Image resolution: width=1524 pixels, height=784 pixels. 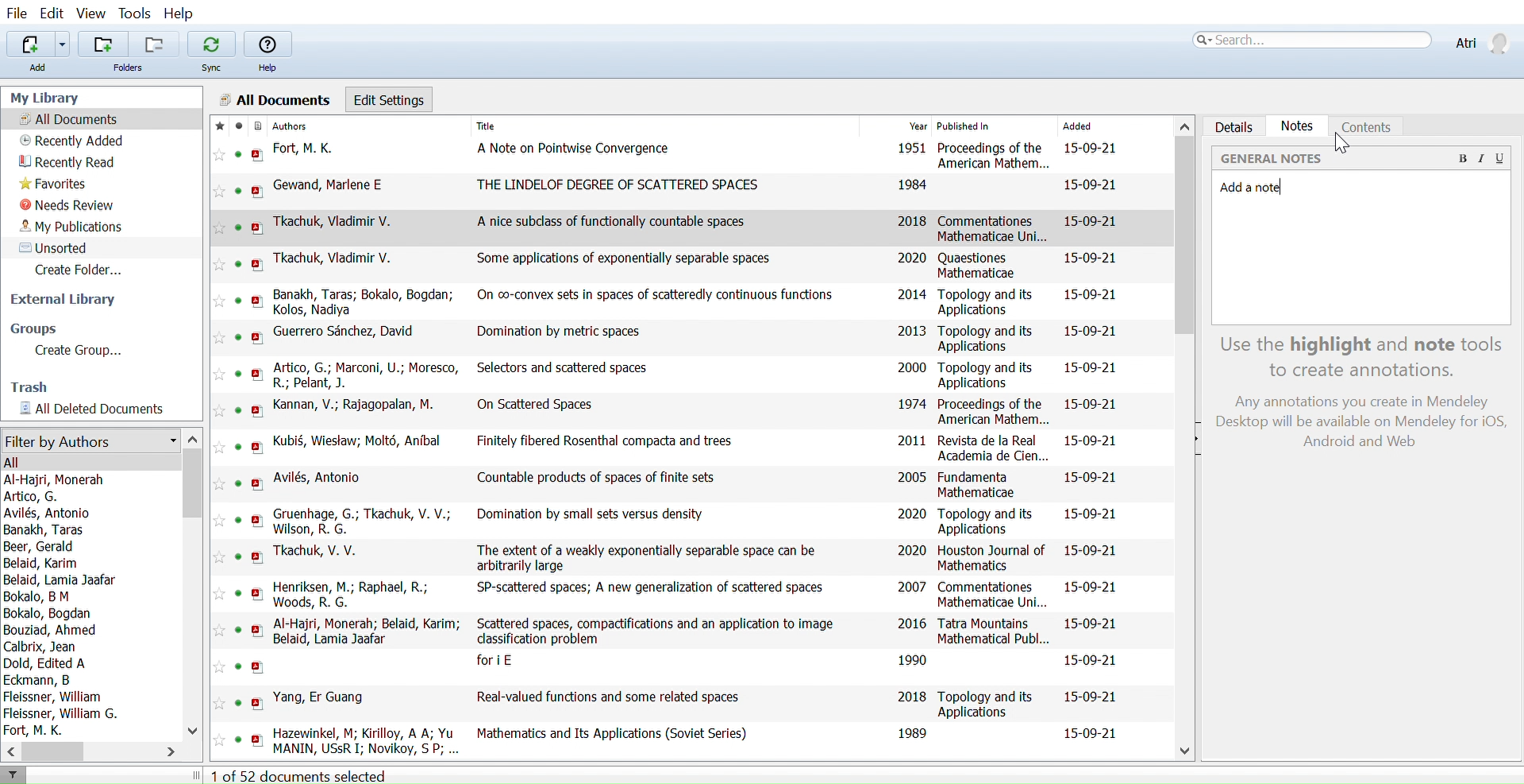 I want to click on open PDF, so click(x=256, y=264).